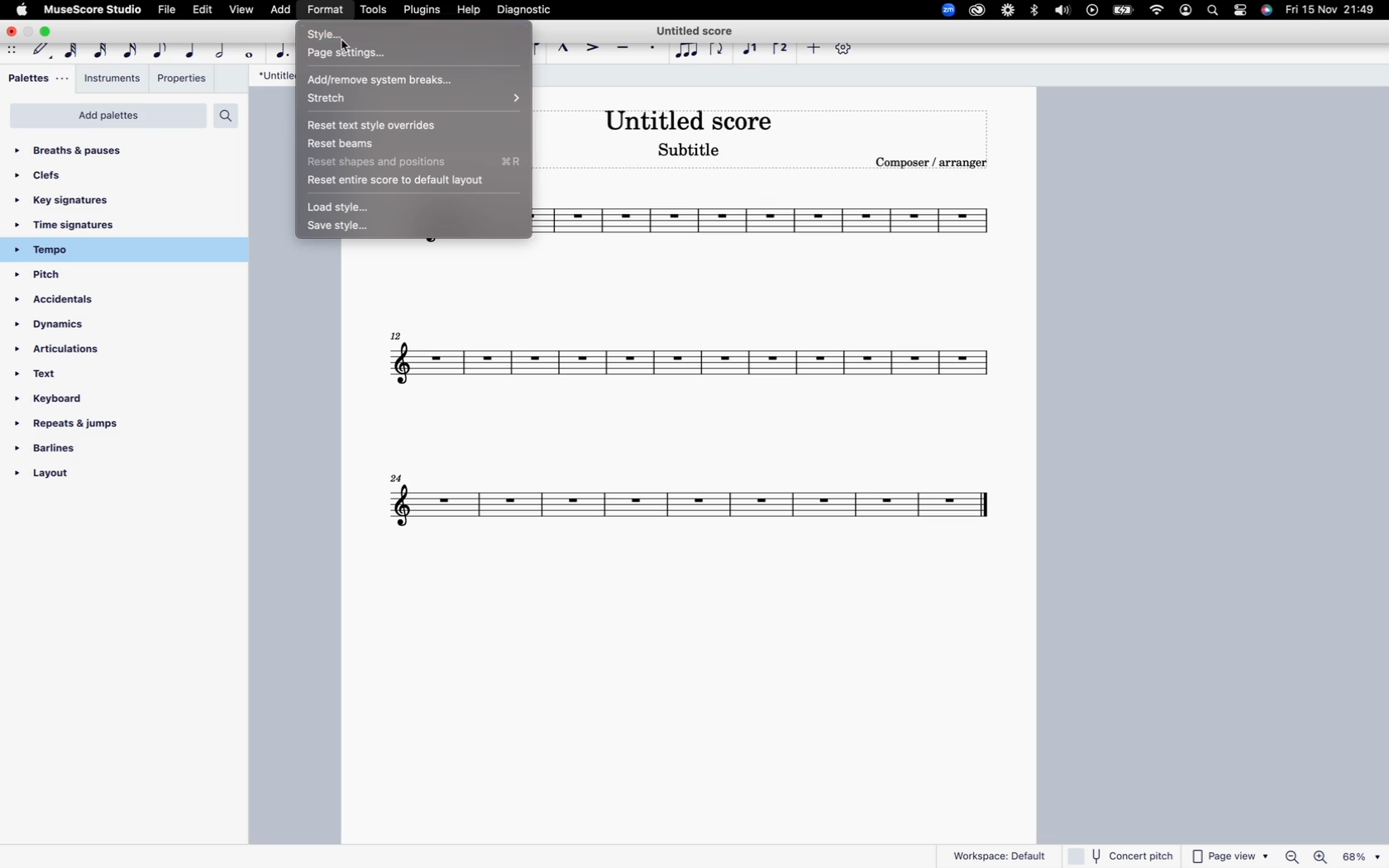 This screenshot has width=1389, height=868. I want to click on edit, so click(206, 8).